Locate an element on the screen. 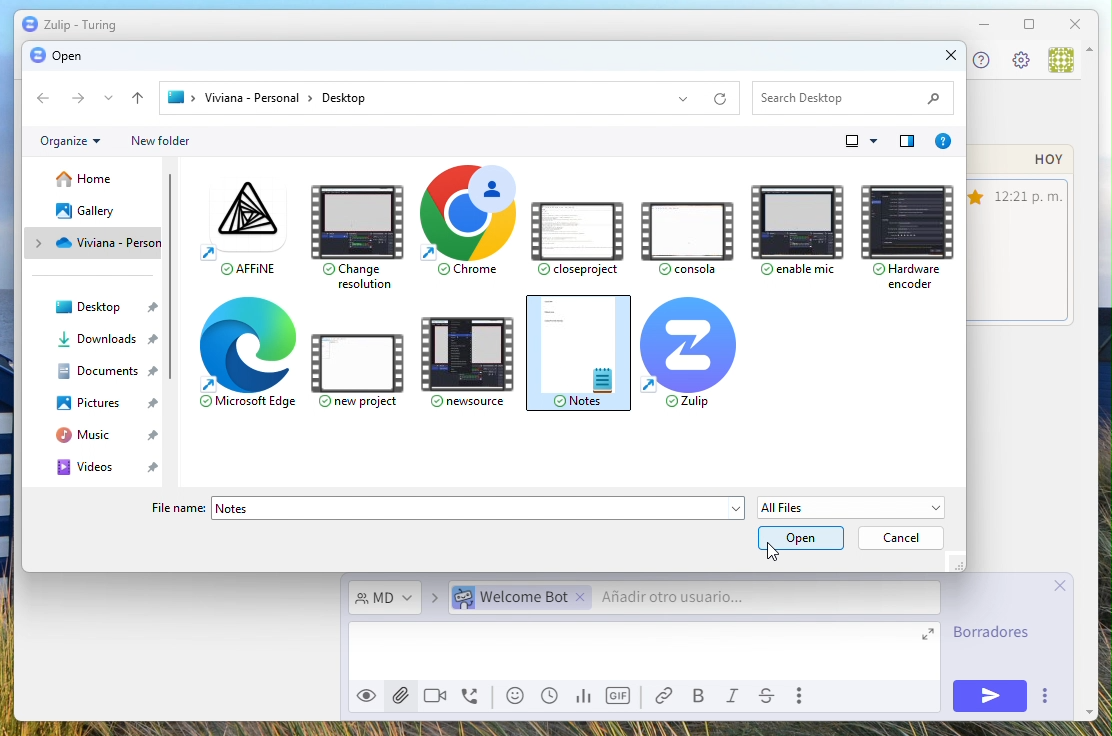 Image resolution: width=1112 pixels, height=736 pixels. open is located at coordinates (802, 538).